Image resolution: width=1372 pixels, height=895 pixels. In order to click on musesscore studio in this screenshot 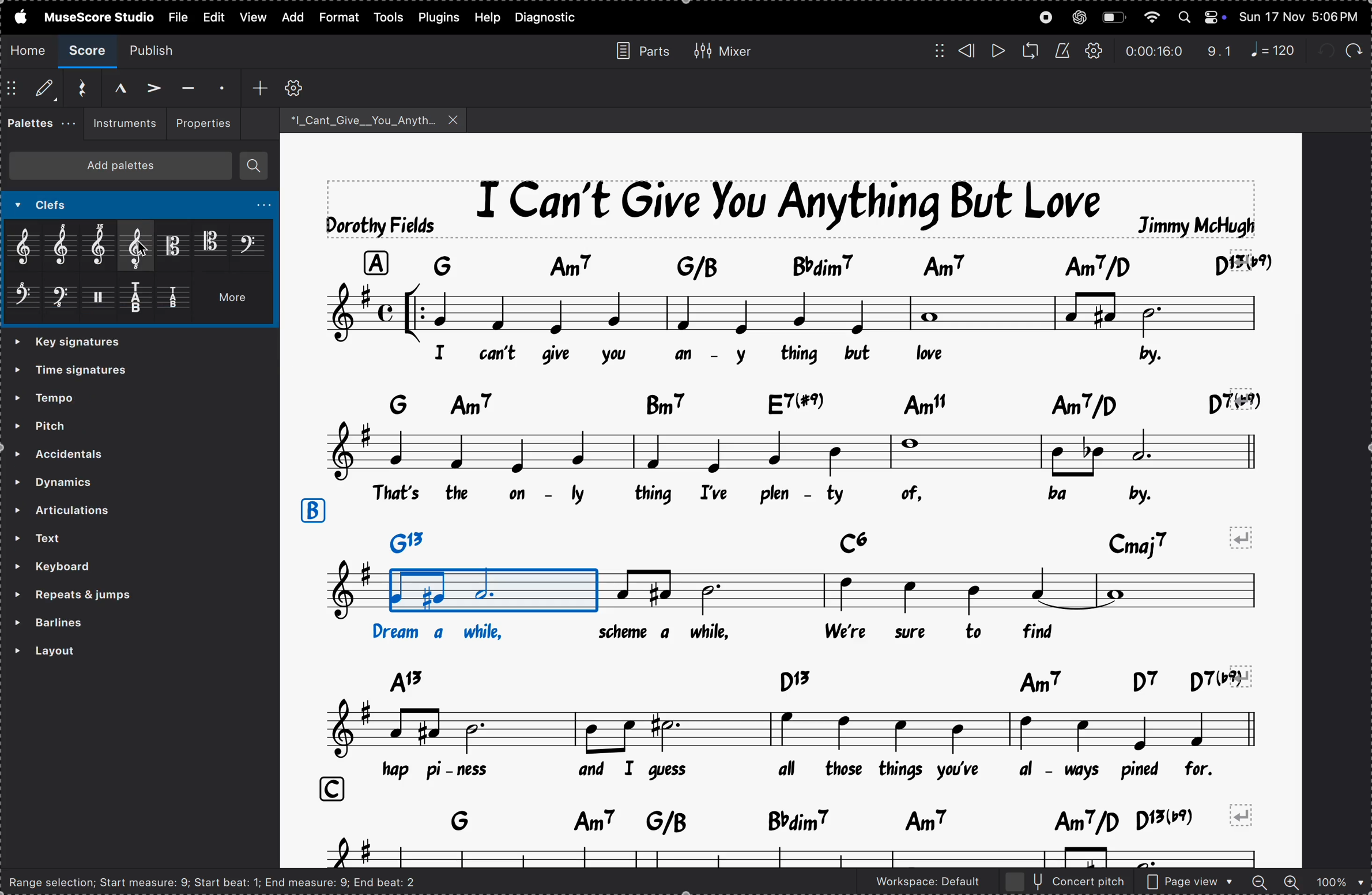, I will do `click(98, 16)`.